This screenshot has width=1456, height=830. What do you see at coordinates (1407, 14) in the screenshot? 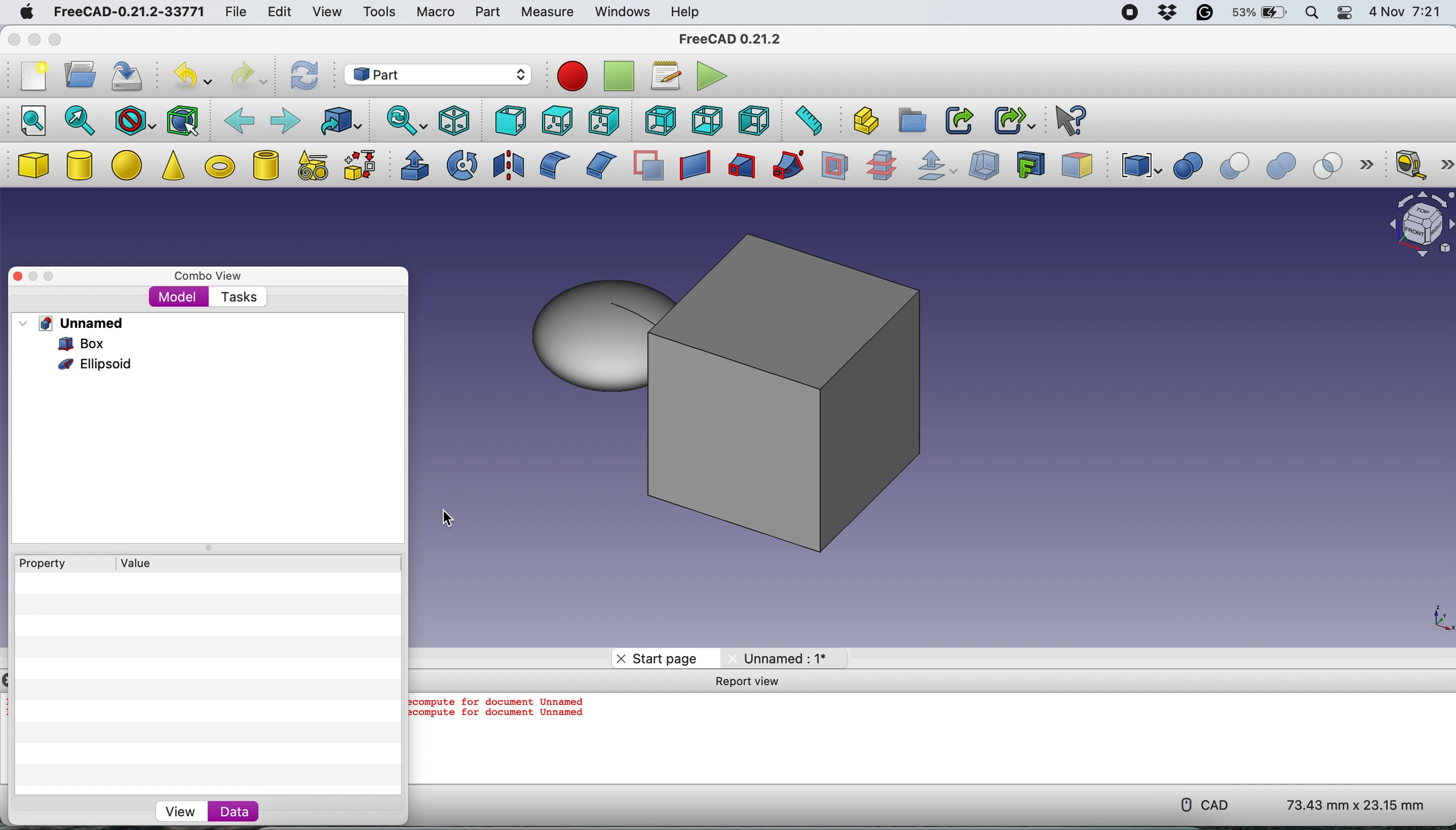
I see `4 Nov 7:21` at bounding box center [1407, 14].